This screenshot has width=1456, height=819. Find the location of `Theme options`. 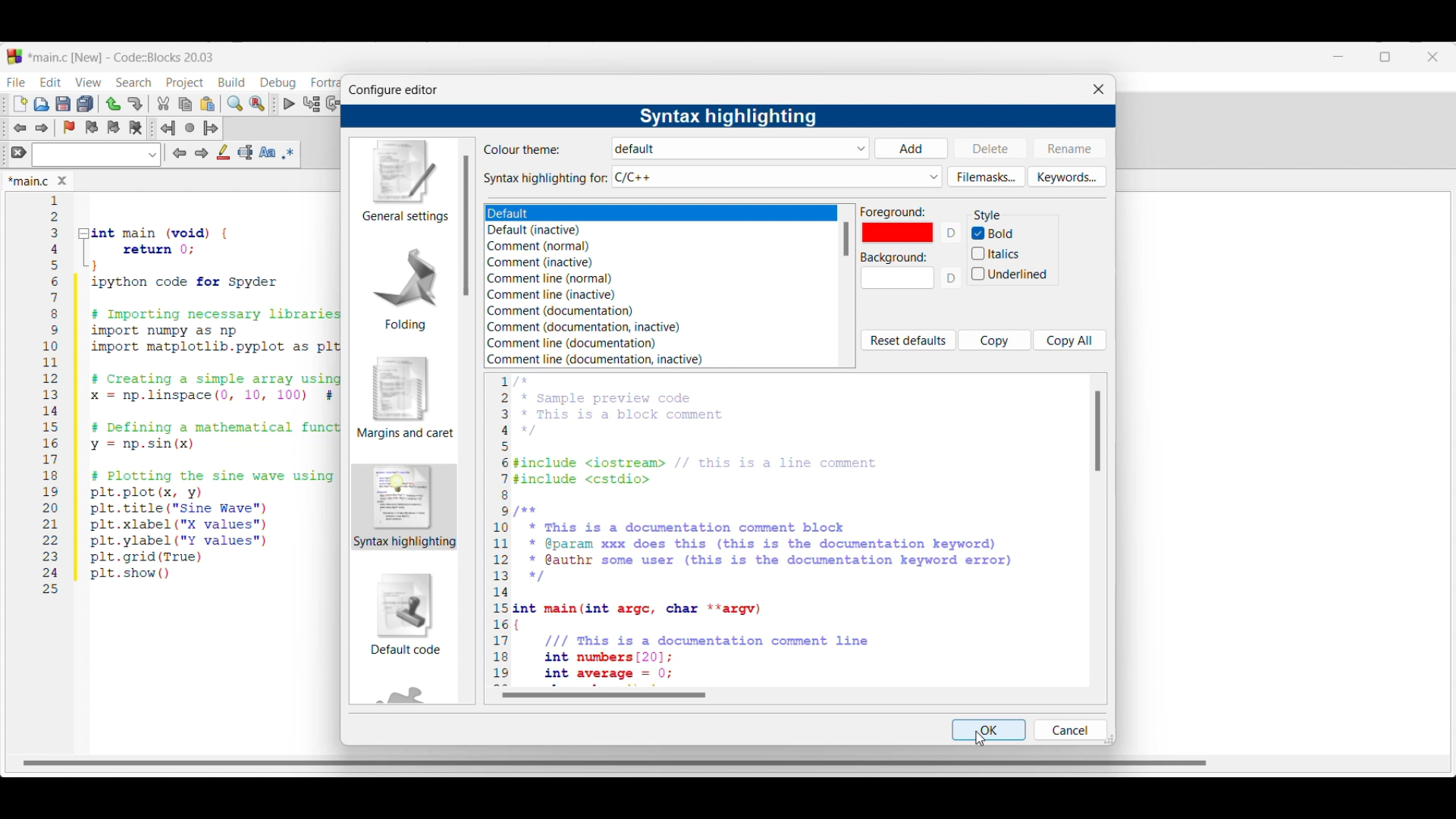

Theme options is located at coordinates (742, 149).